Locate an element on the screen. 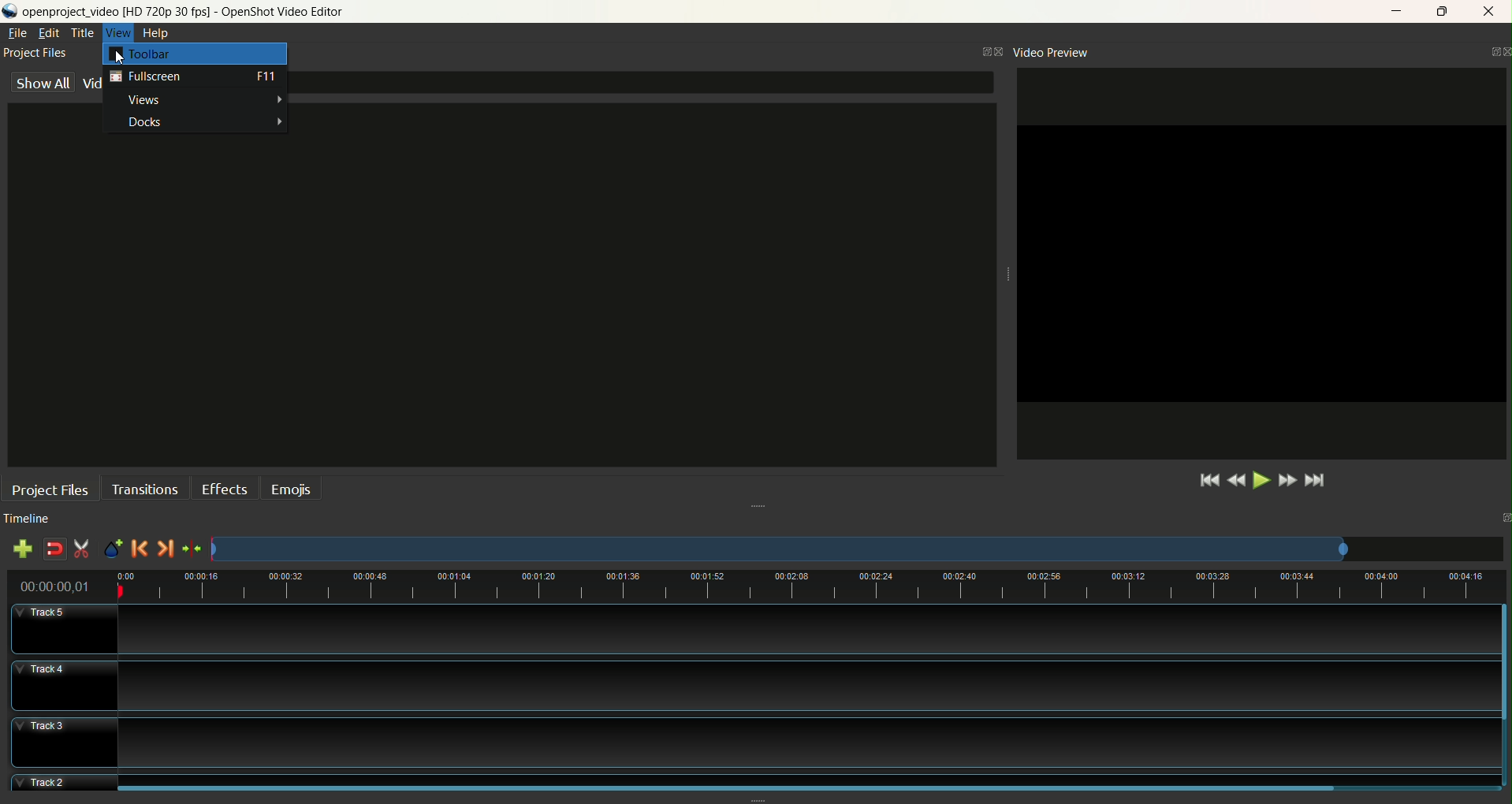  enable razor is located at coordinates (84, 549).